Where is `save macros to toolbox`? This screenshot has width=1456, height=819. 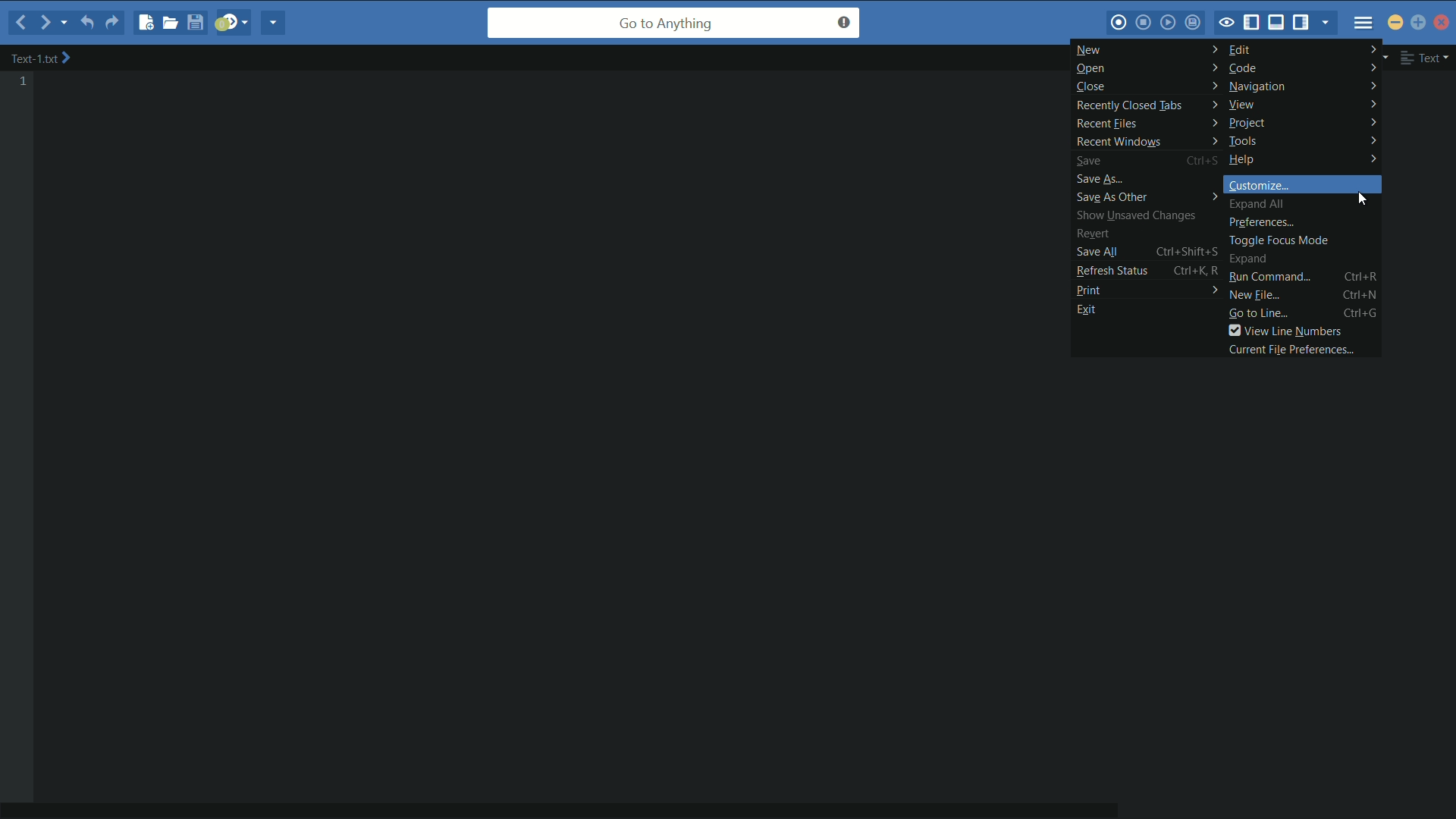 save macros to toolbox is located at coordinates (1194, 22).